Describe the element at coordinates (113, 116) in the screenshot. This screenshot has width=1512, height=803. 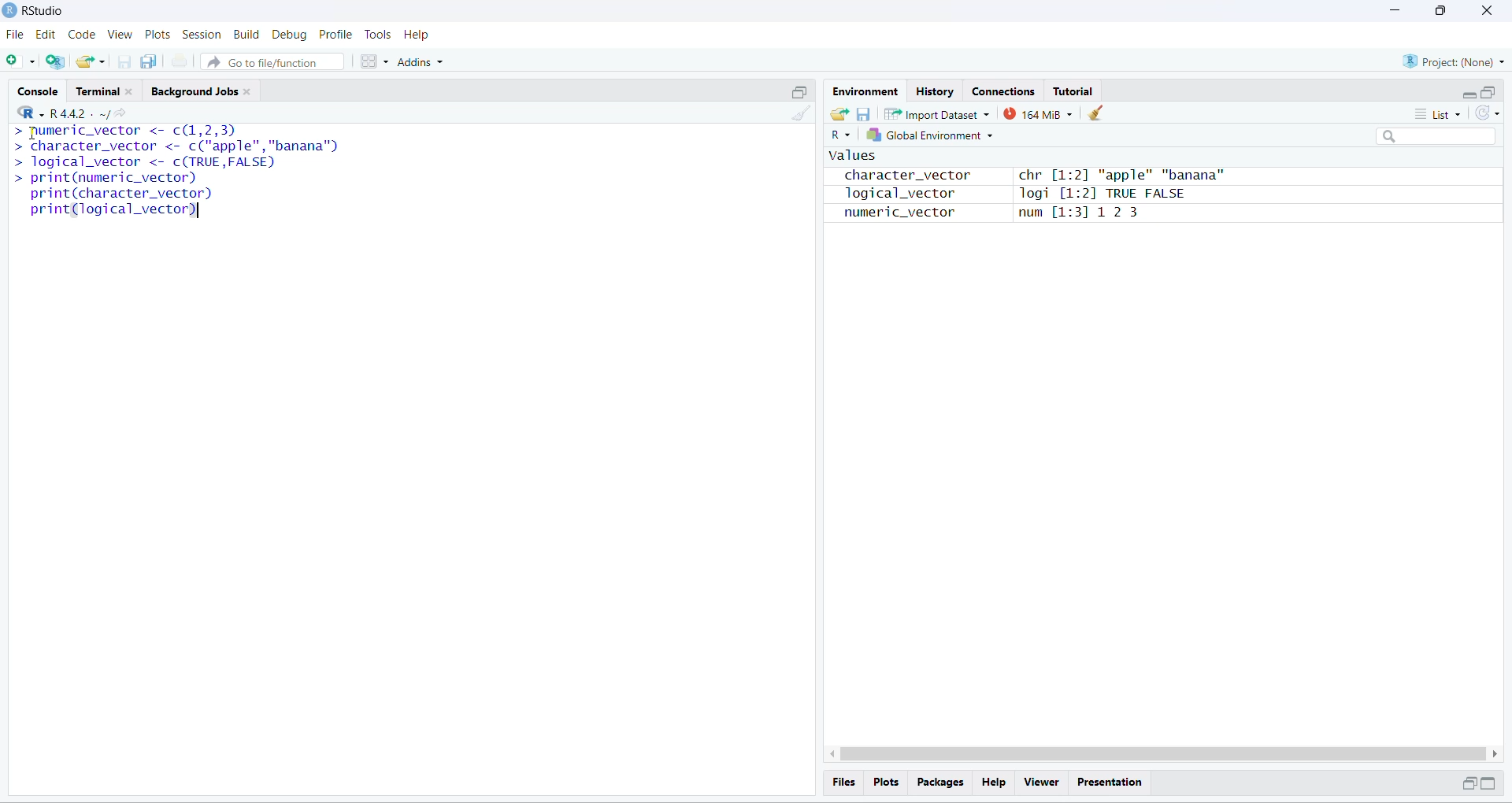
I see `share current directory` at that location.